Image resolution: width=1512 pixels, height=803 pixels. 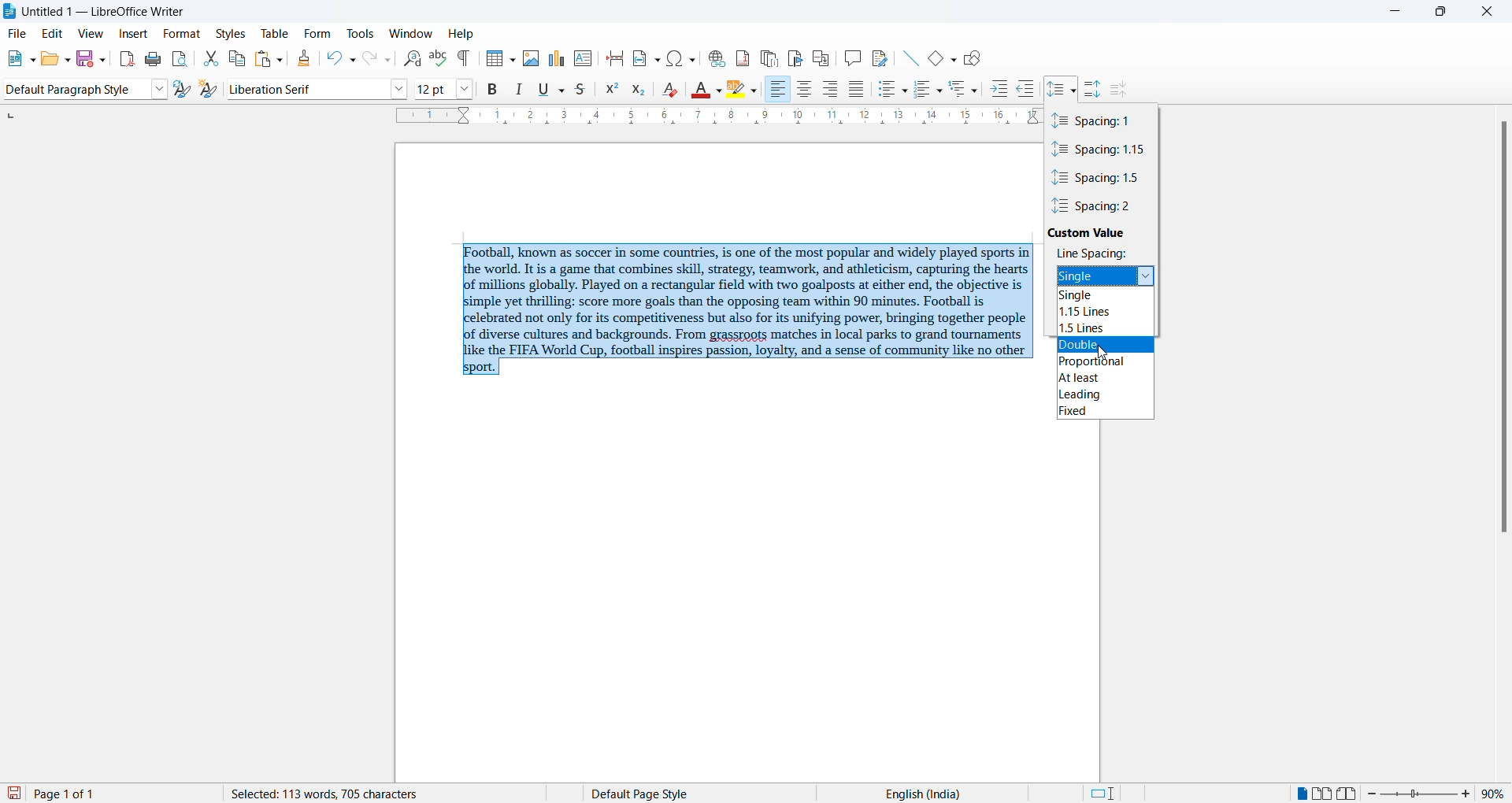 I want to click on open options, so click(x=63, y=58).